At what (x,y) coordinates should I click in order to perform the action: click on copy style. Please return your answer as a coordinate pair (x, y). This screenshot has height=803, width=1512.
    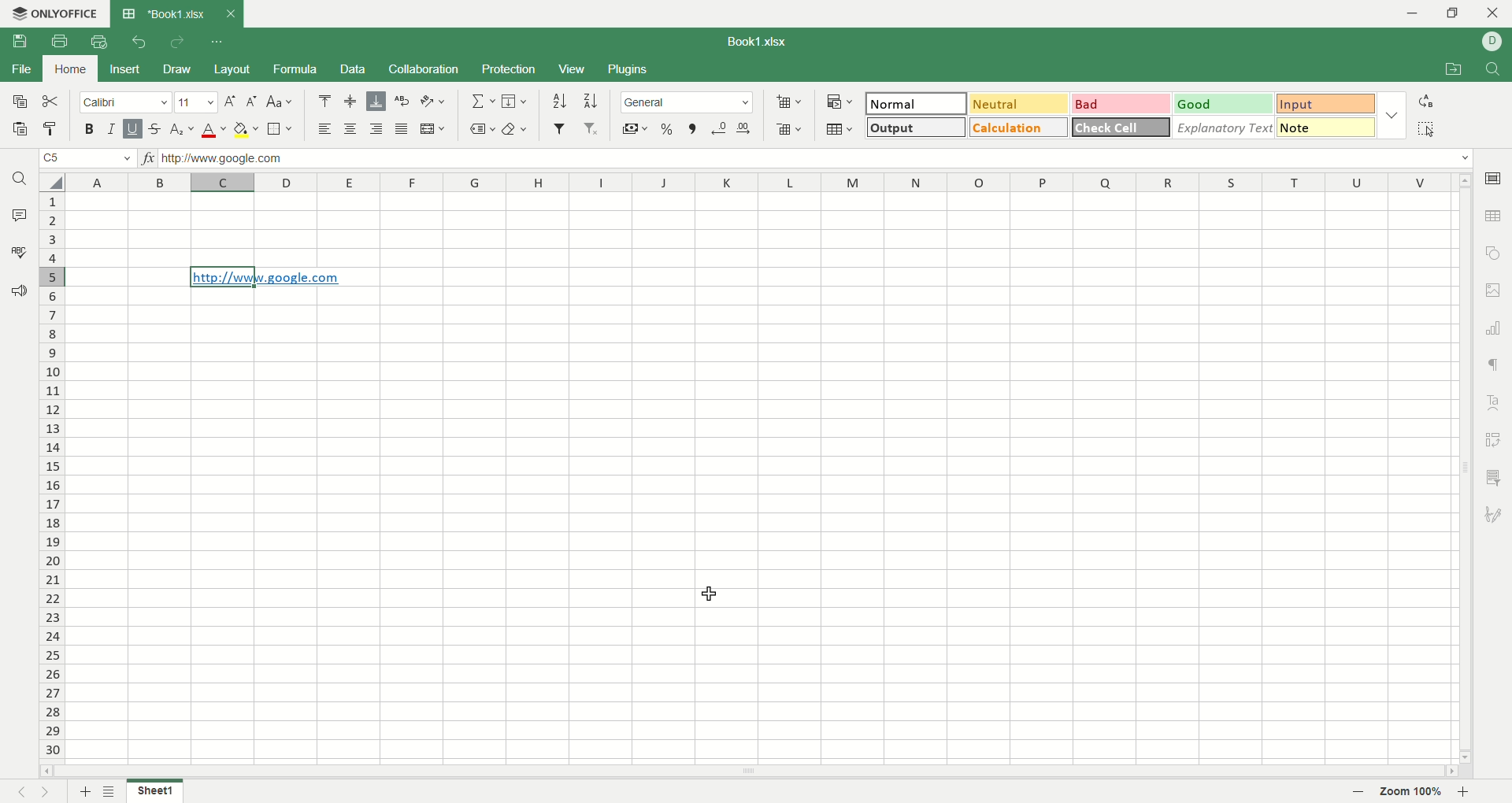
    Looking at the image, I should click on (51, 129).